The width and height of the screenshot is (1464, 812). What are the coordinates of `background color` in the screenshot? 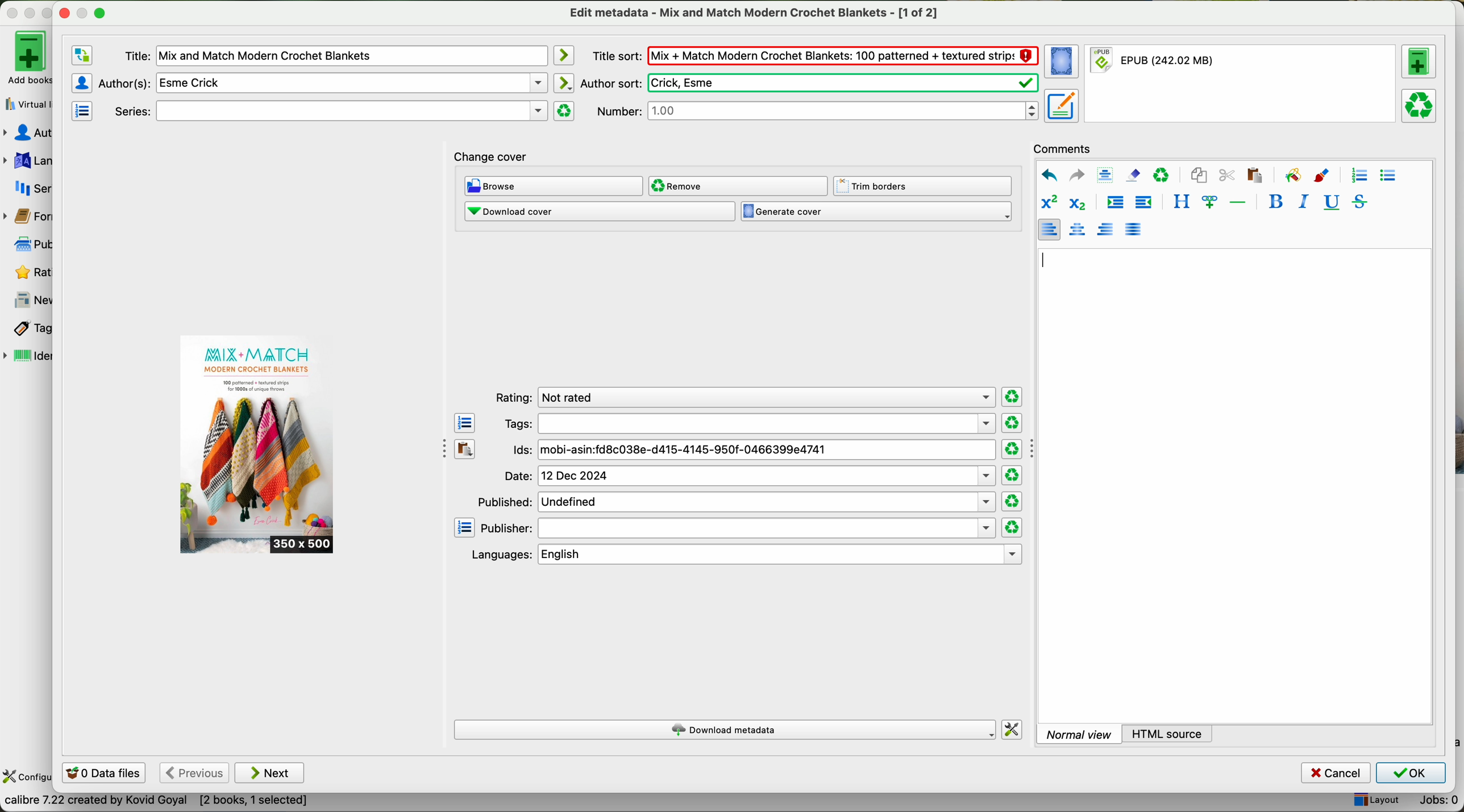 It's located at (1292, 174).